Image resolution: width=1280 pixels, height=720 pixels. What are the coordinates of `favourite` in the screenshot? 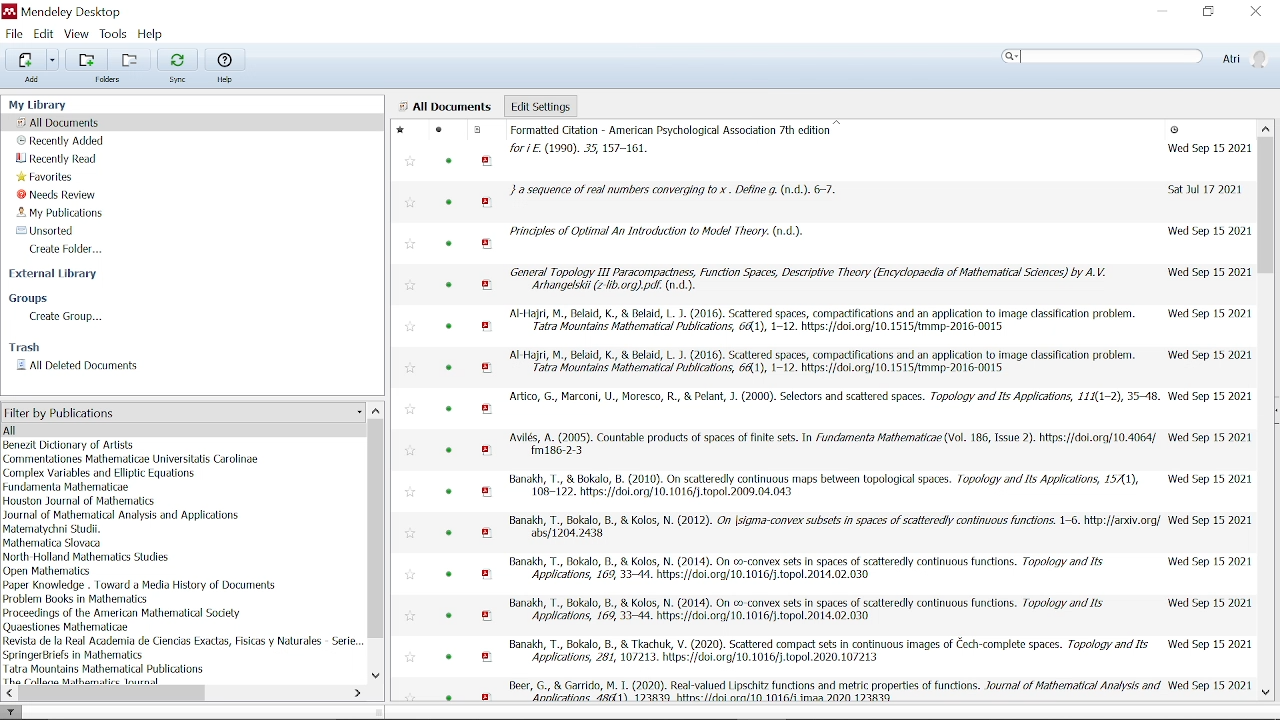 It's located at (413, 369).